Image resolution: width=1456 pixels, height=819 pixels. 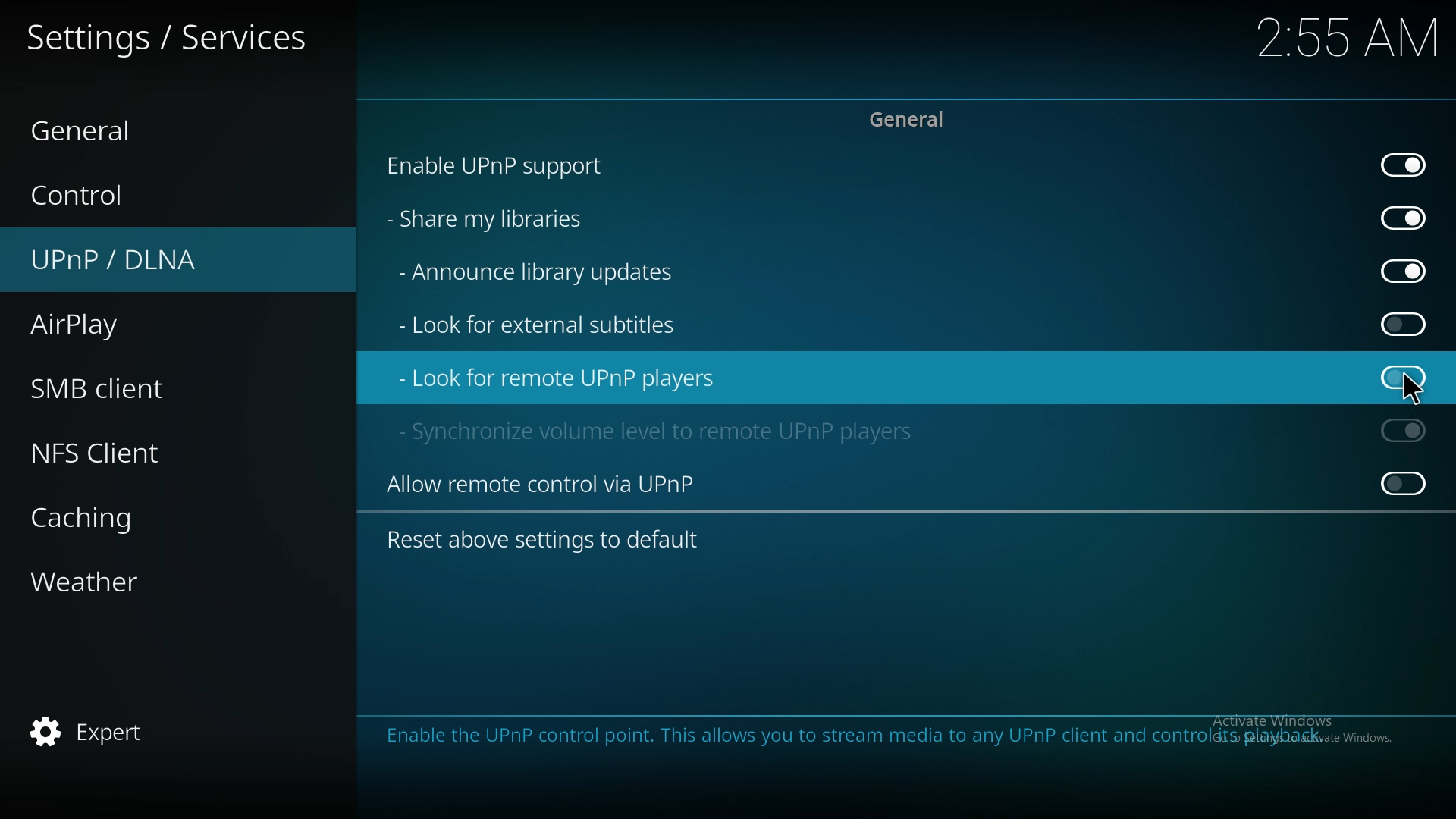 I want to click on off (Greyed out), so click(x=1404, y=324).